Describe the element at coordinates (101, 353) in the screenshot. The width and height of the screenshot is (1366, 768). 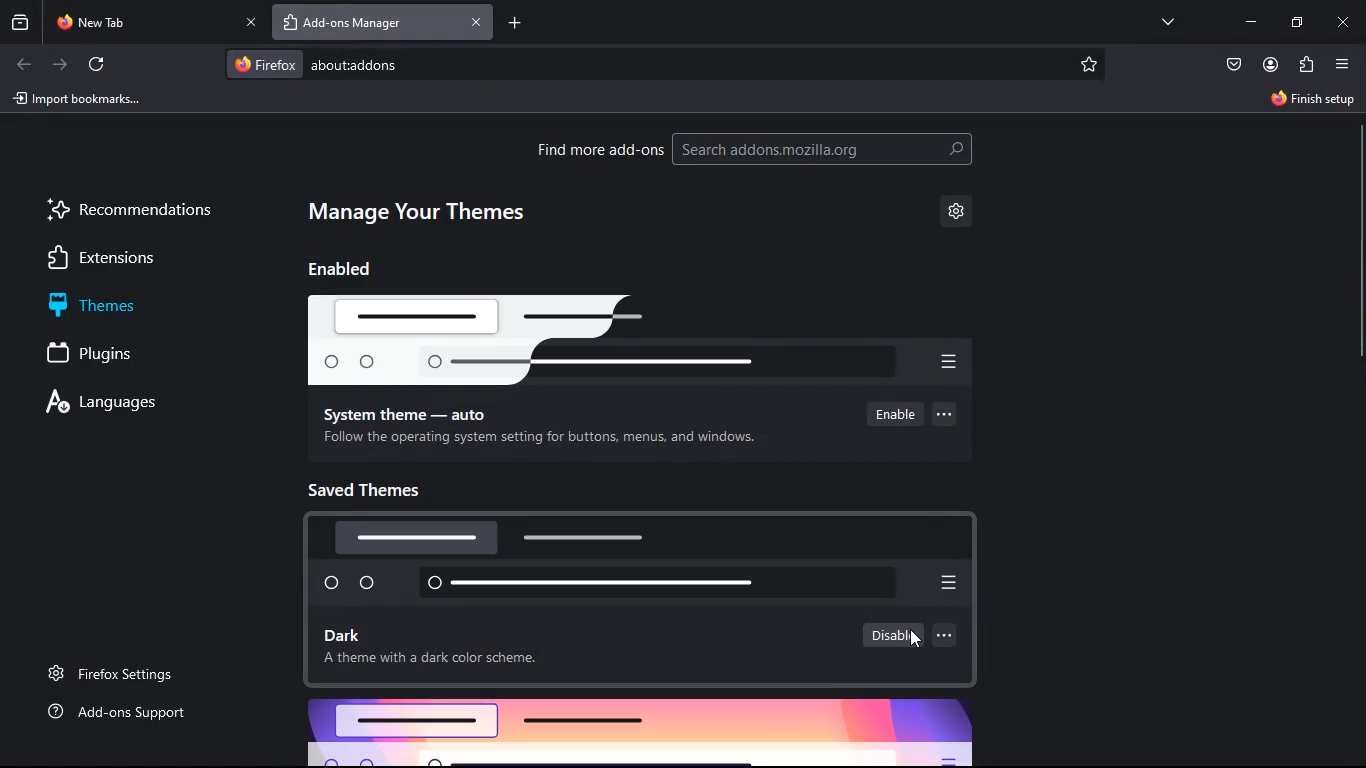
I see `plugins` at that location.